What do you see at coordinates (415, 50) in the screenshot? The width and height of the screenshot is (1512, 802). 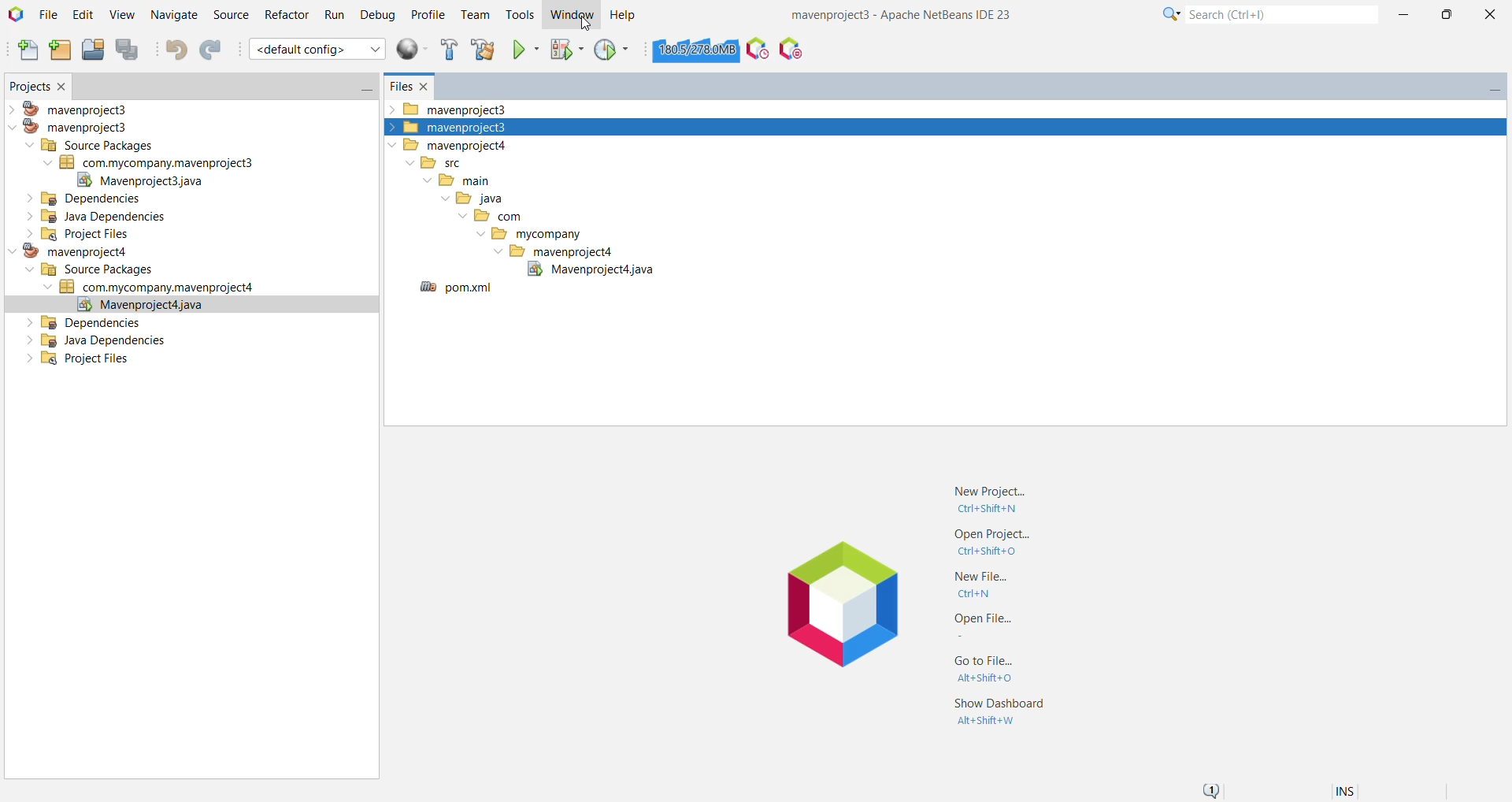 I see `` at bounding box center [415, 50].